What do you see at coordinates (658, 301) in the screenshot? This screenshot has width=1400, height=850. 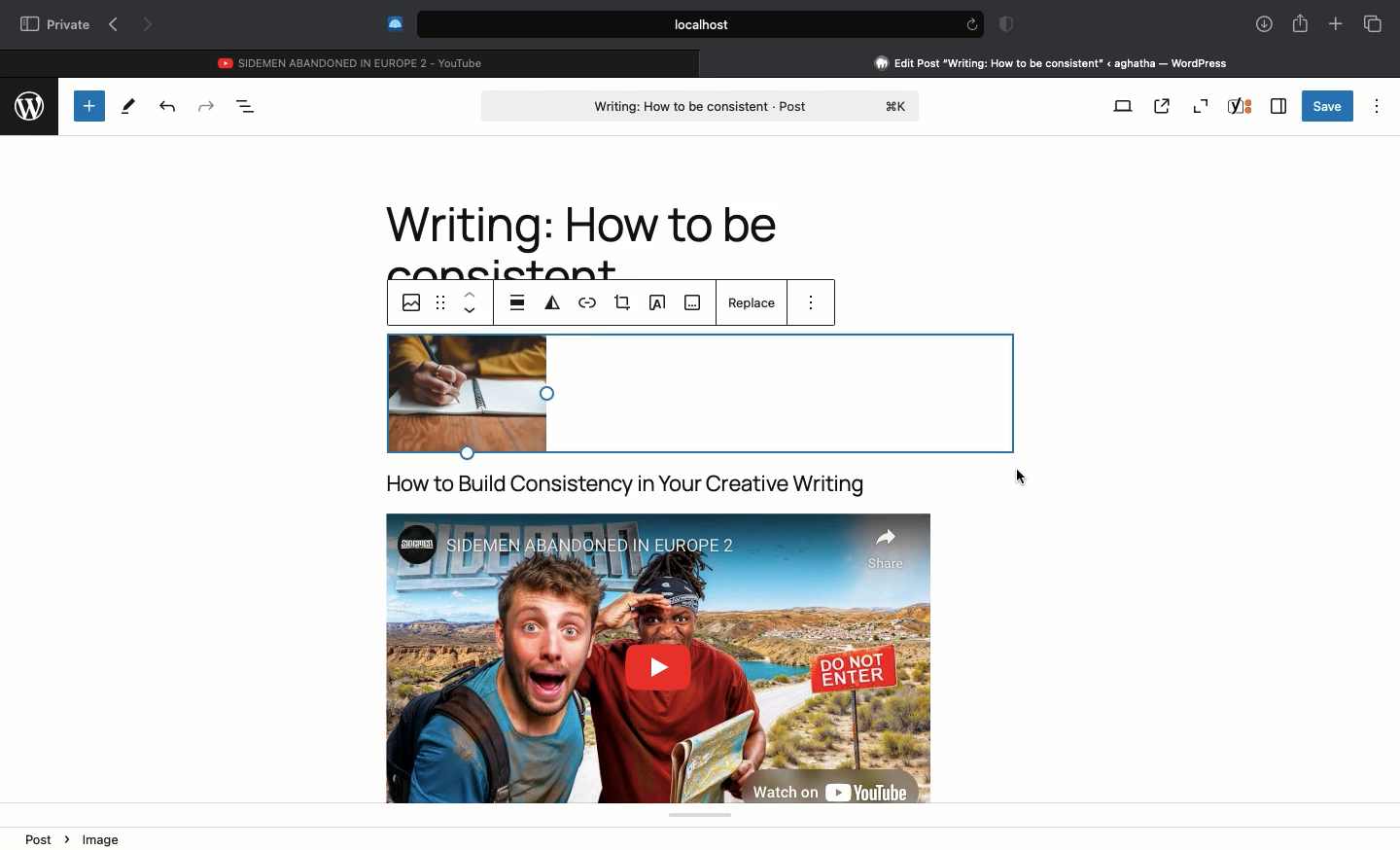 I see `A` at bounding box center [658, 301].